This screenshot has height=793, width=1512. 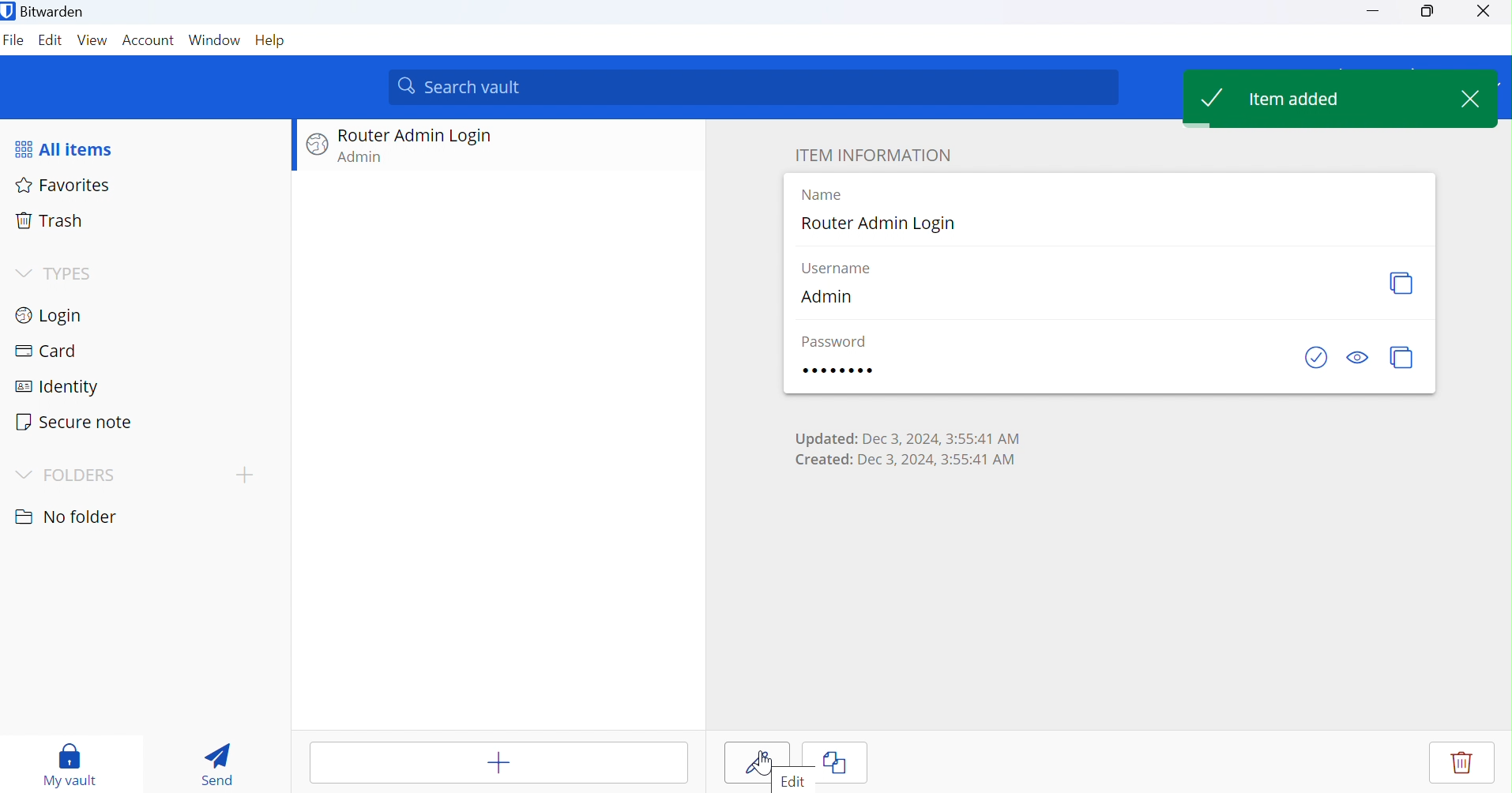 I want to click on Admin, so click(x=365, y=158).